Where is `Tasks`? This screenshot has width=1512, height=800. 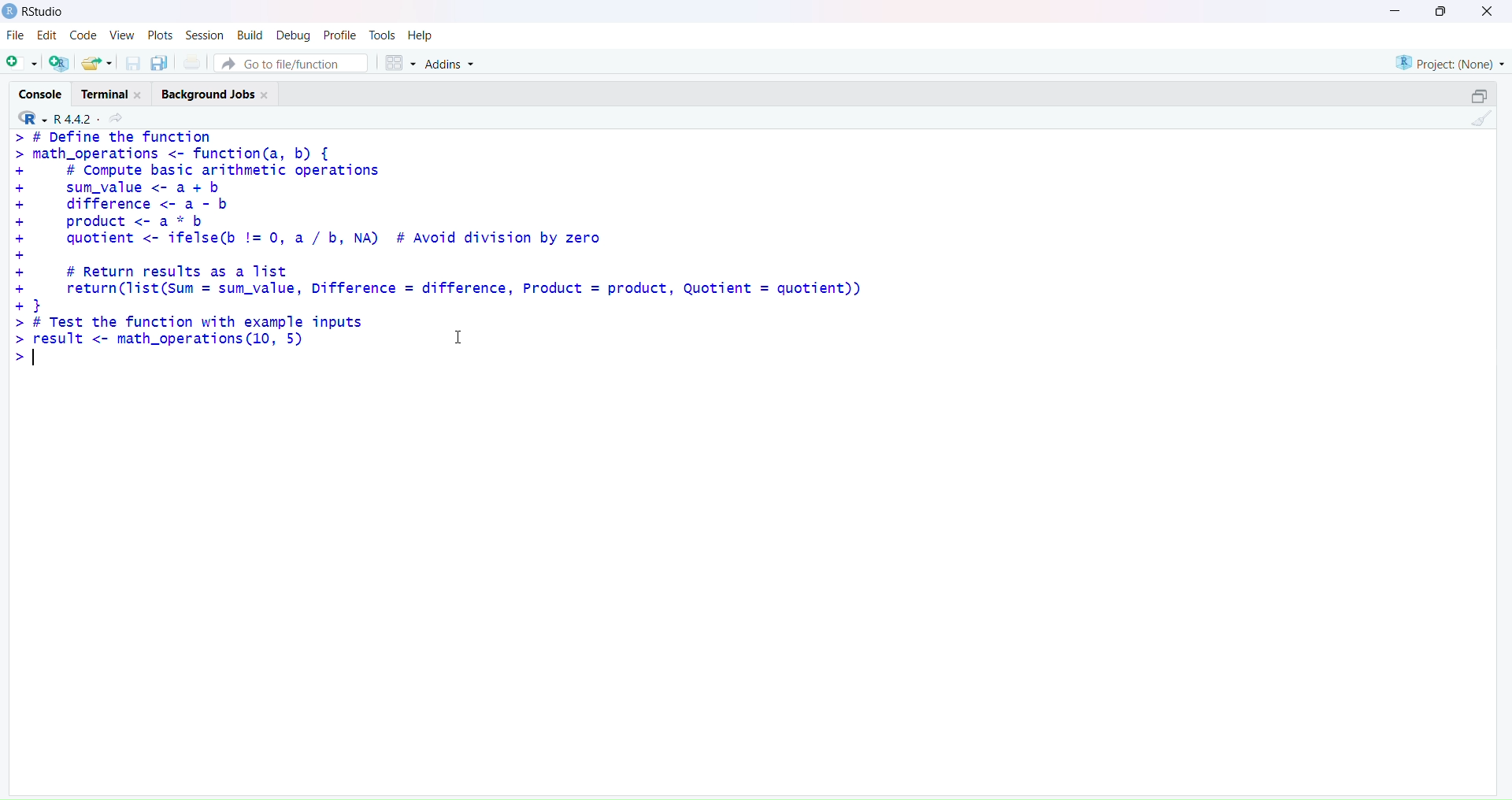
Tasks is located at coordinates (382, 34).